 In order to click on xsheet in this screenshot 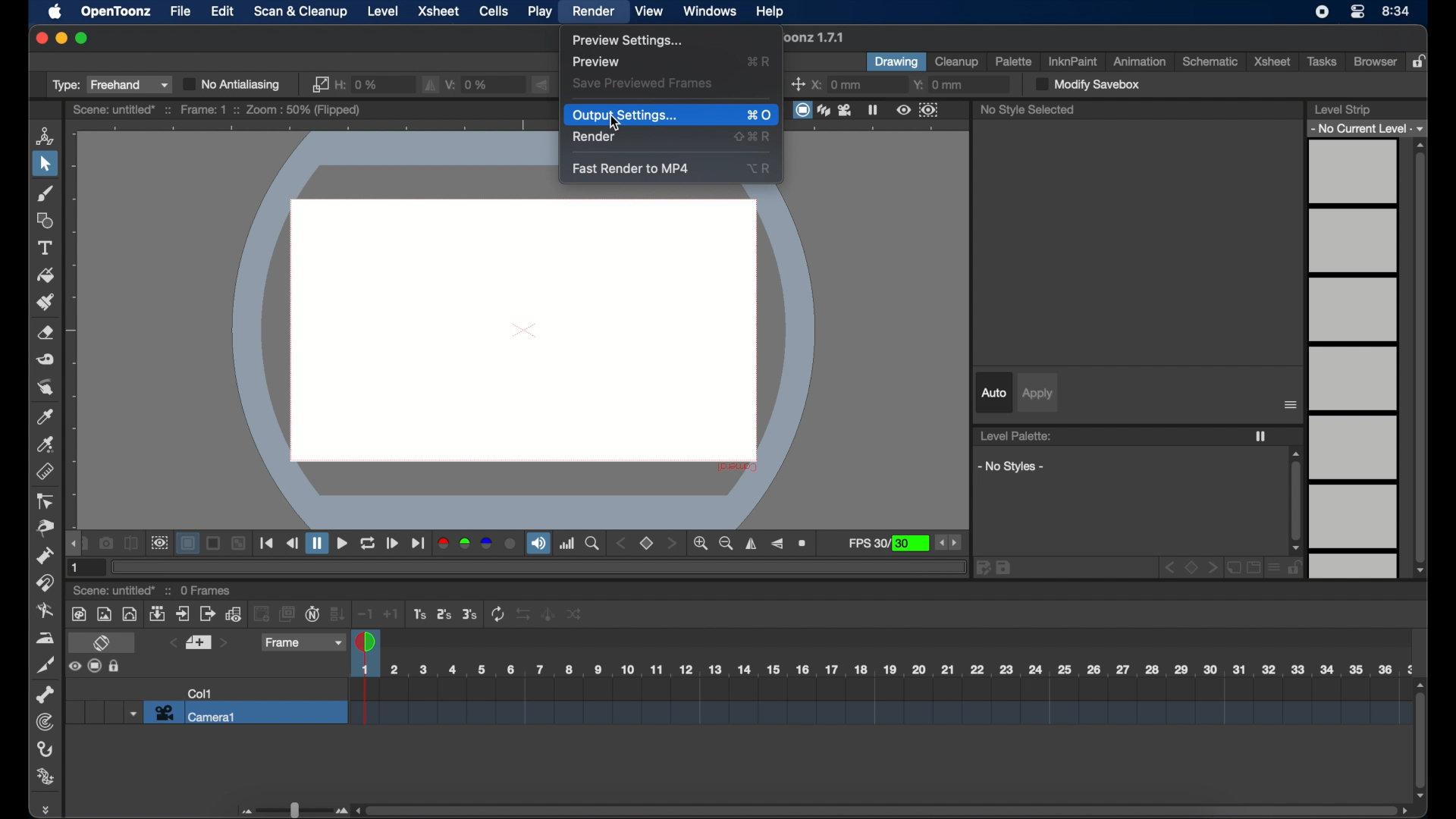, I will do `click(1272, 61)`.